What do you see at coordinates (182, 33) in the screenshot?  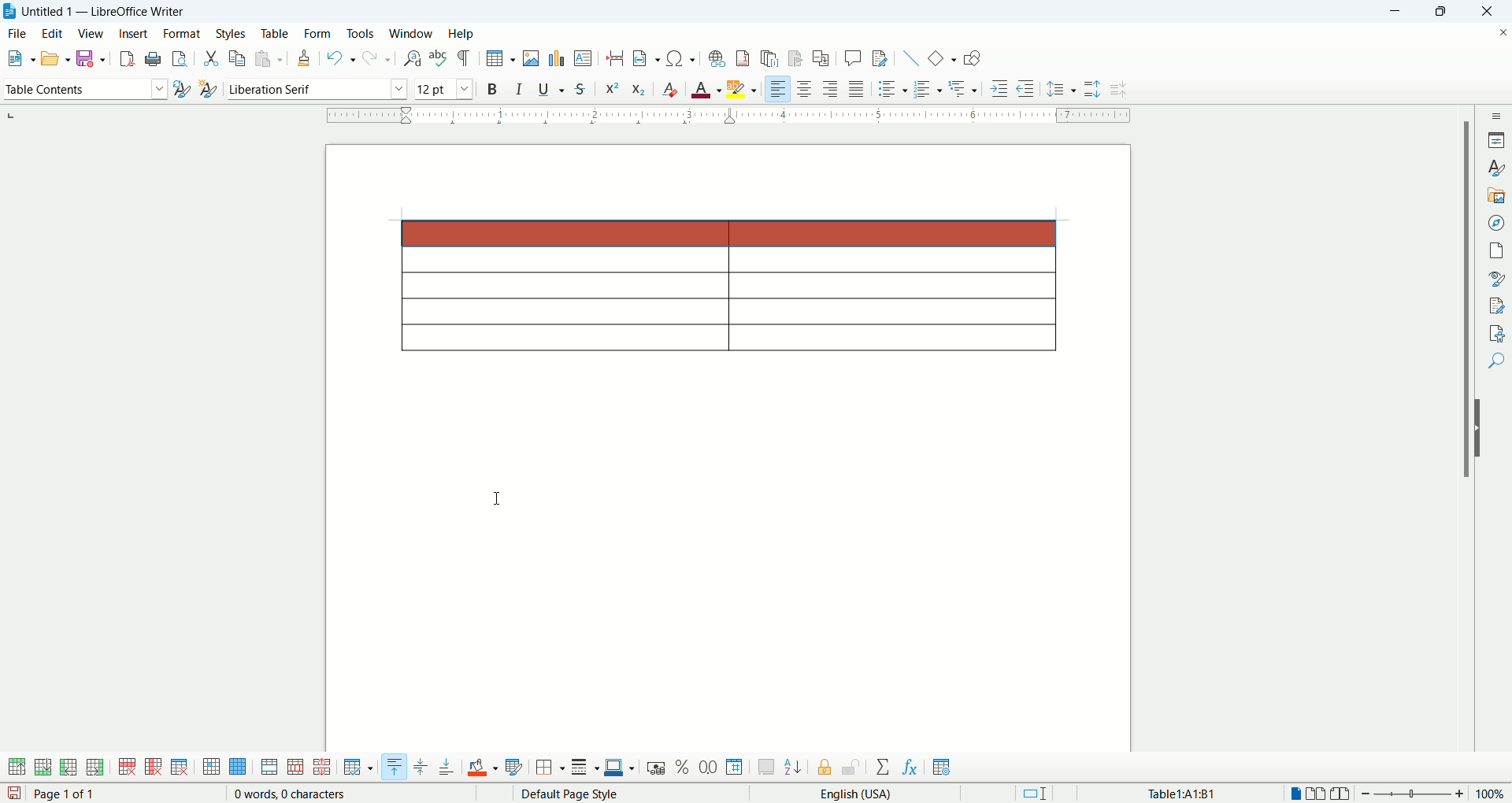 I see `format` at bounding box center [182, 33].